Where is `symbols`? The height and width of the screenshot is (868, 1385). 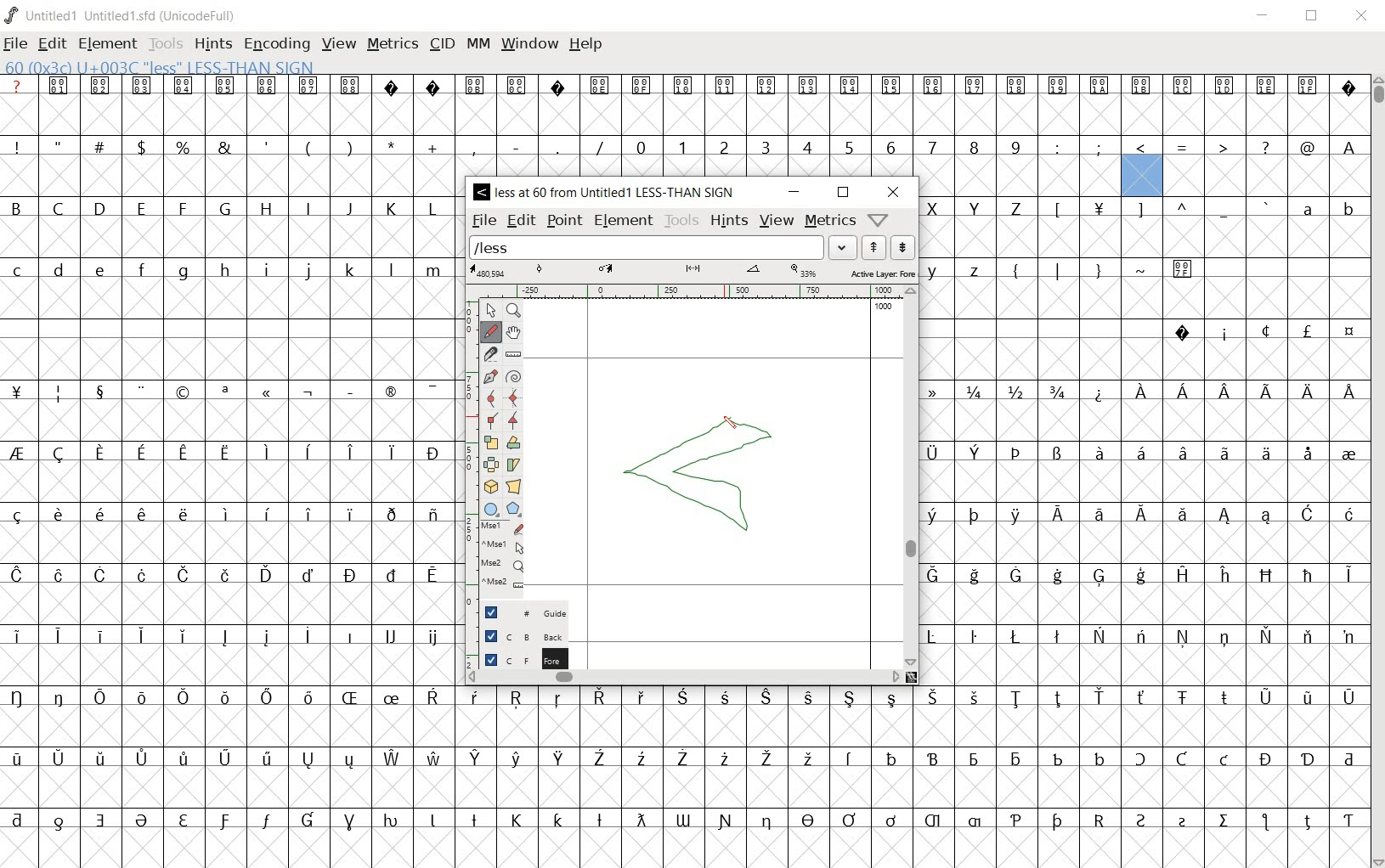
symbols is located at coordinates (1185, 144).